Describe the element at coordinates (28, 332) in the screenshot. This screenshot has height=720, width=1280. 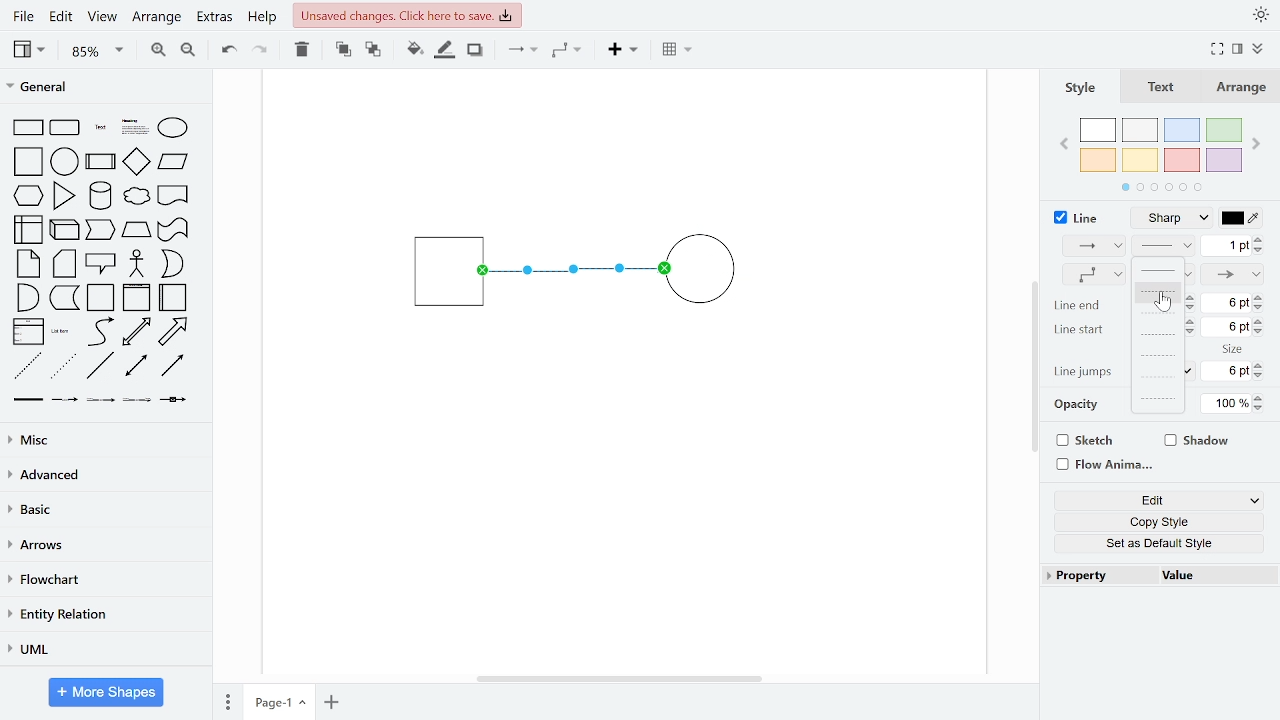
I see `list` at that location.